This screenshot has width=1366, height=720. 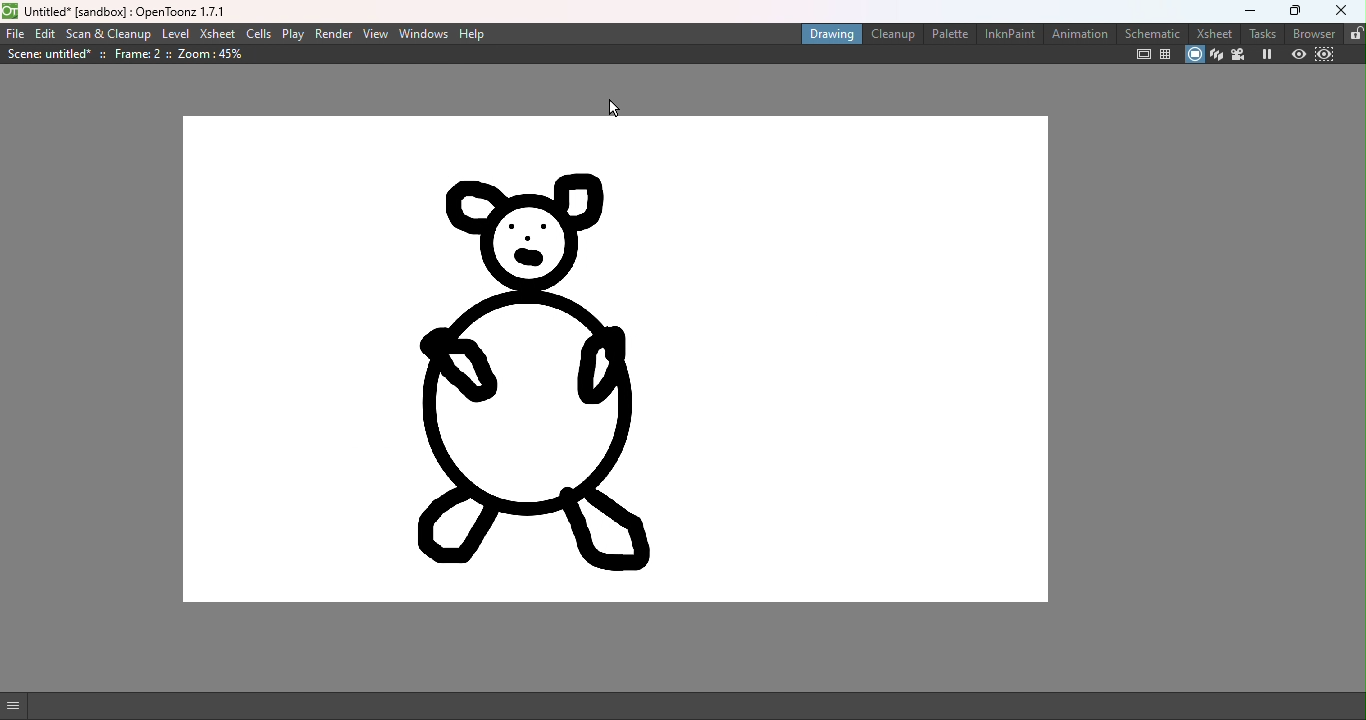 I want to click on Edit, so click(x=45, y=35).